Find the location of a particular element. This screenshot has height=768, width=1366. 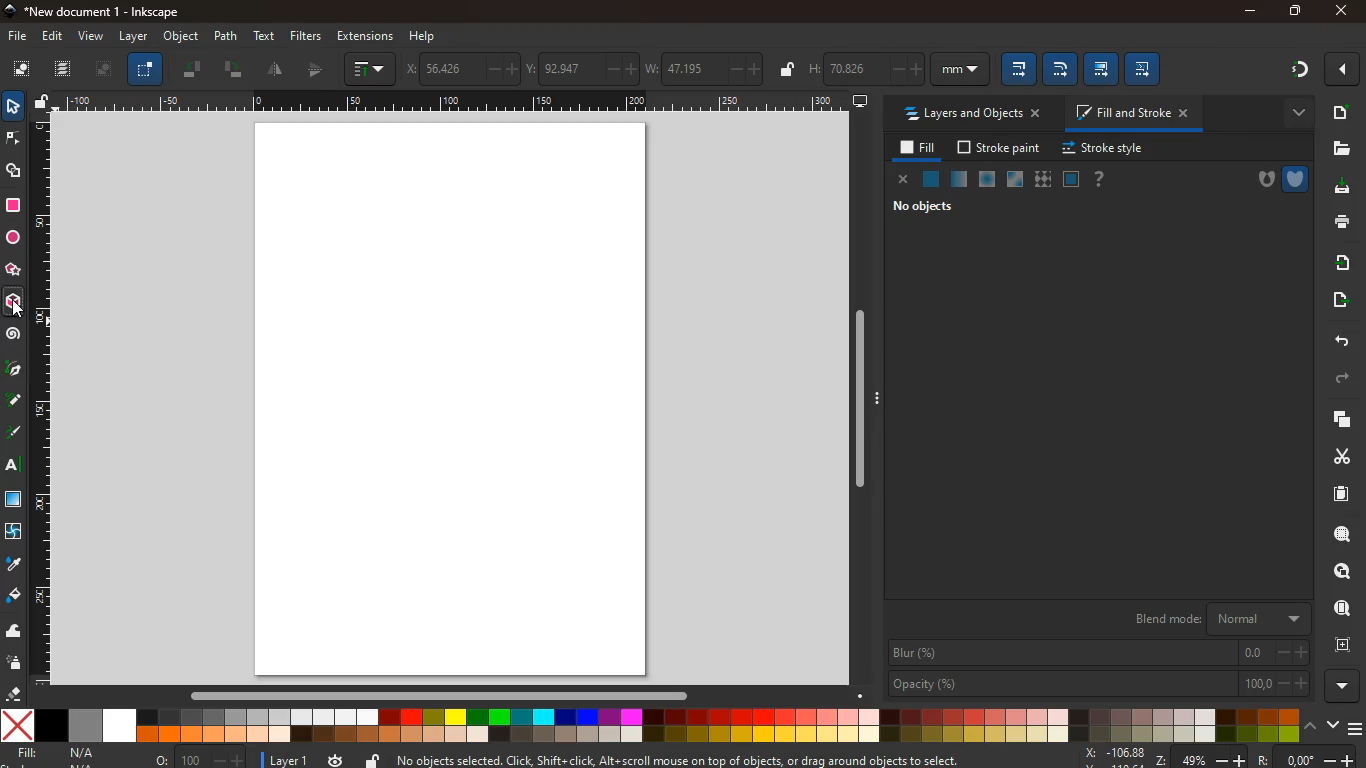

paint is located at coordinates (13, 597).